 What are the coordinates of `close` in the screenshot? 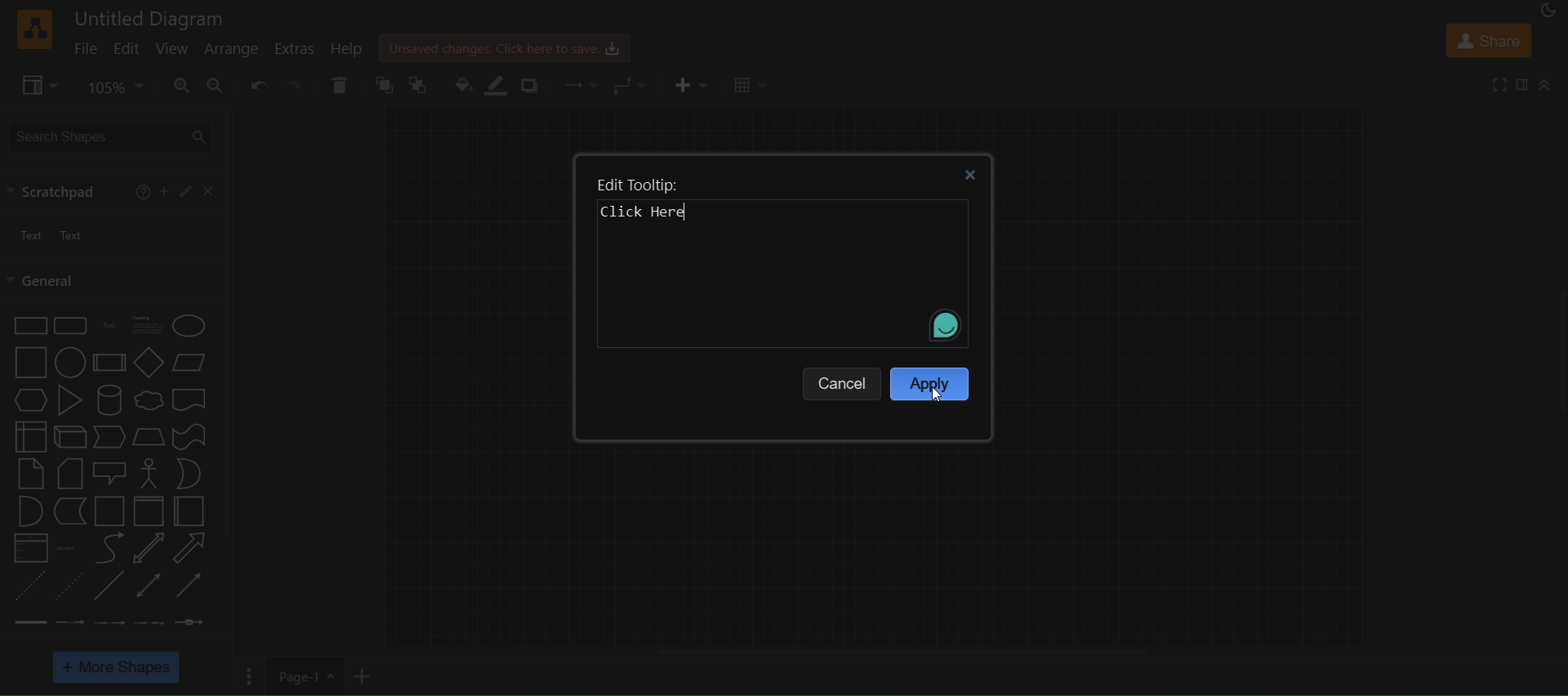 It's located at (206, 191).